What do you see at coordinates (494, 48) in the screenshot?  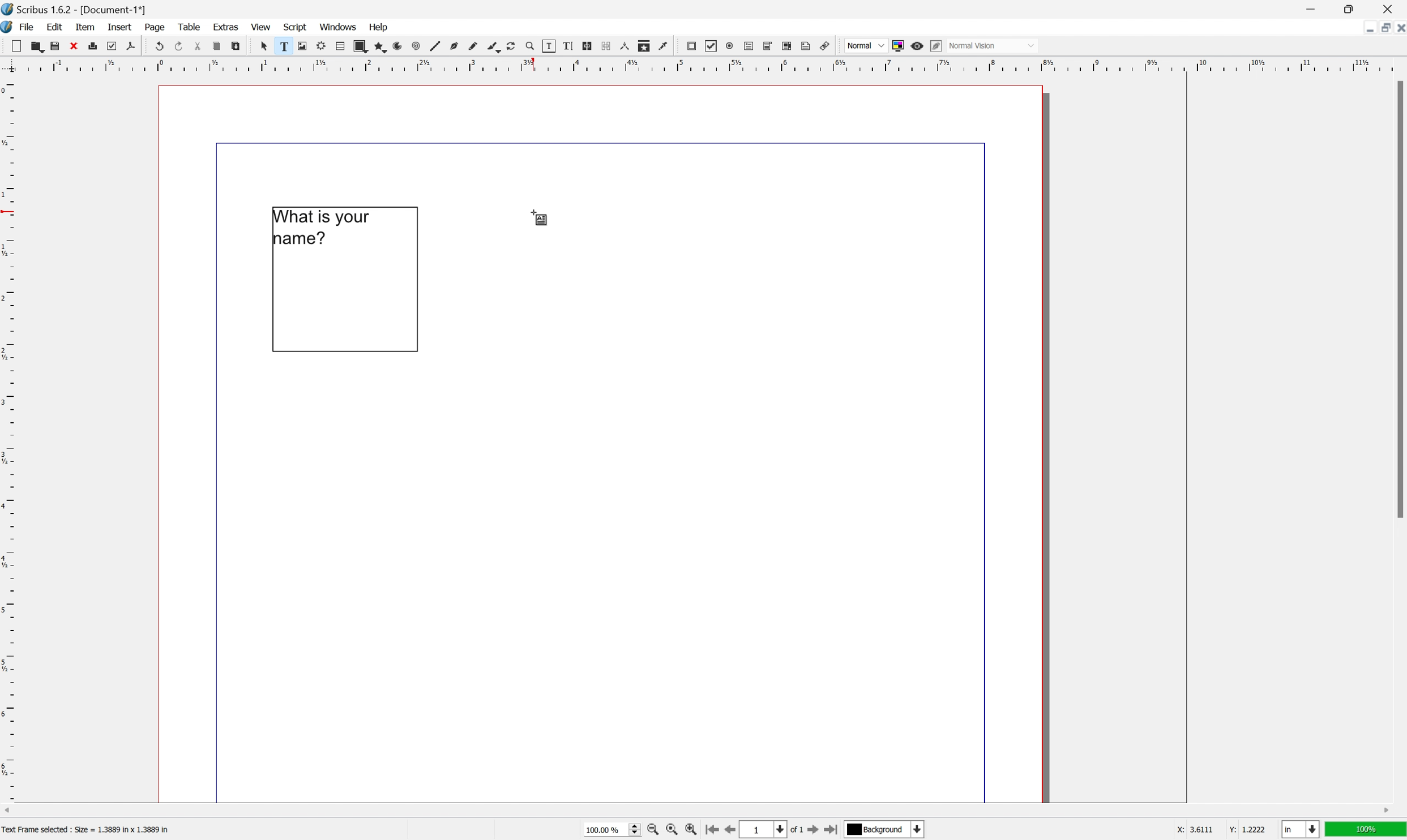 I see `bezier curve` at bounding box center [494, 48].